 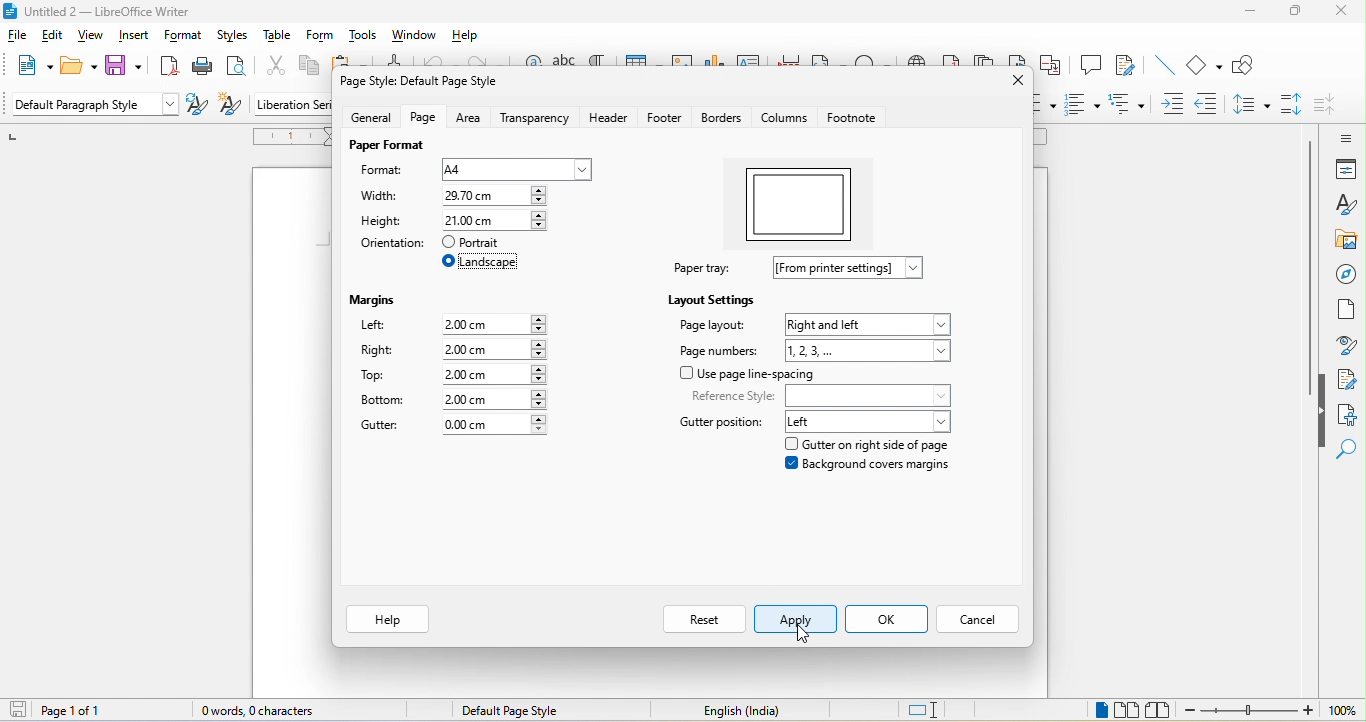 I want to click on close, so click(x=1340, y=12).